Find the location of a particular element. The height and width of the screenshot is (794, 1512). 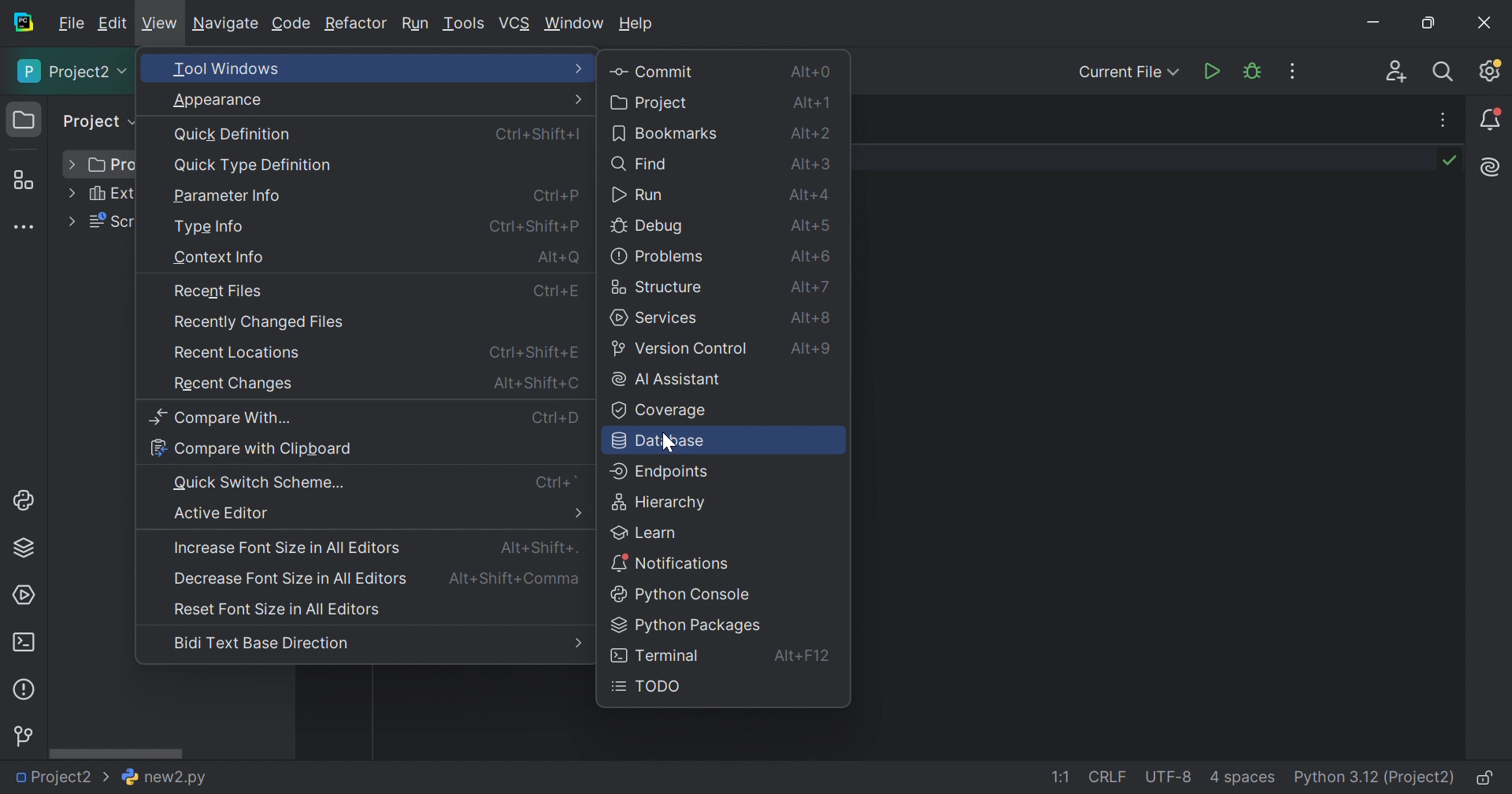

Tools is located at coordinates (464, 25).